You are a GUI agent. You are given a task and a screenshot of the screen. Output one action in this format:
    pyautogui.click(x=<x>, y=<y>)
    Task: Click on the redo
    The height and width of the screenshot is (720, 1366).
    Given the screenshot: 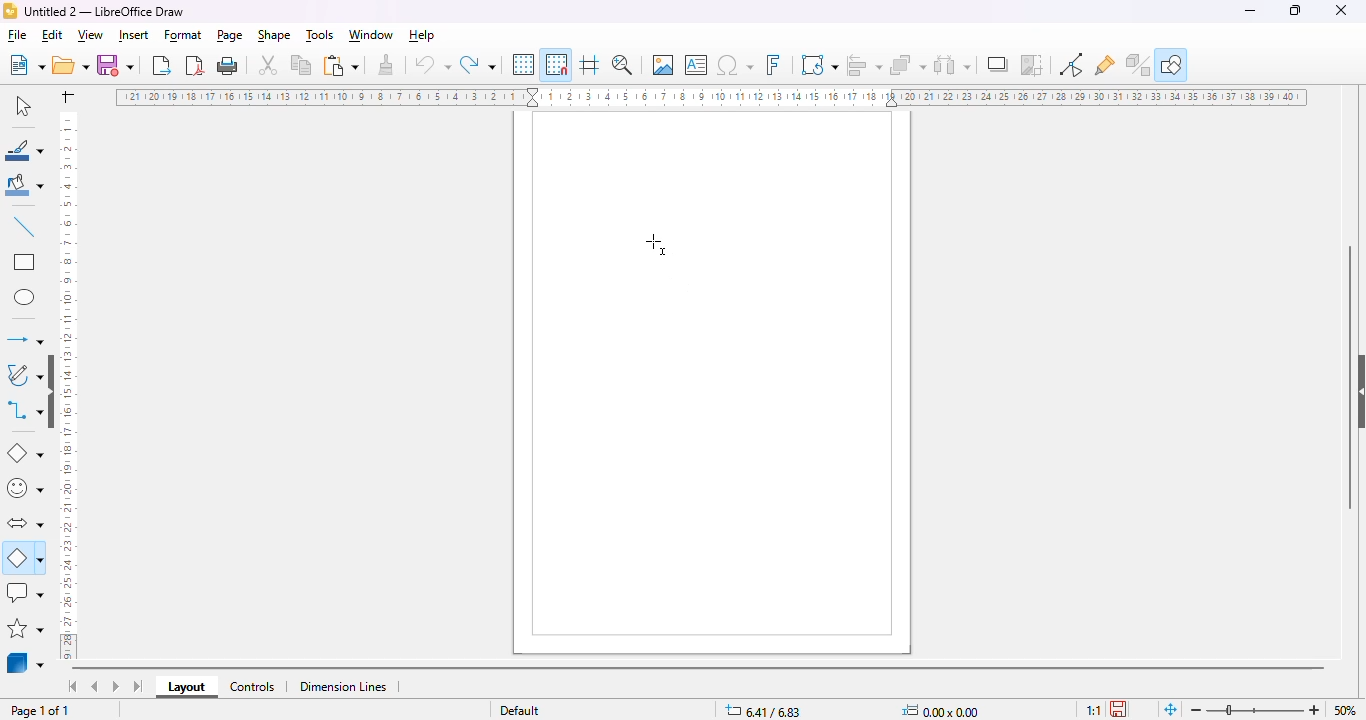 What is the action you would take?
    pyautogui.click(x=478, y=65)
    